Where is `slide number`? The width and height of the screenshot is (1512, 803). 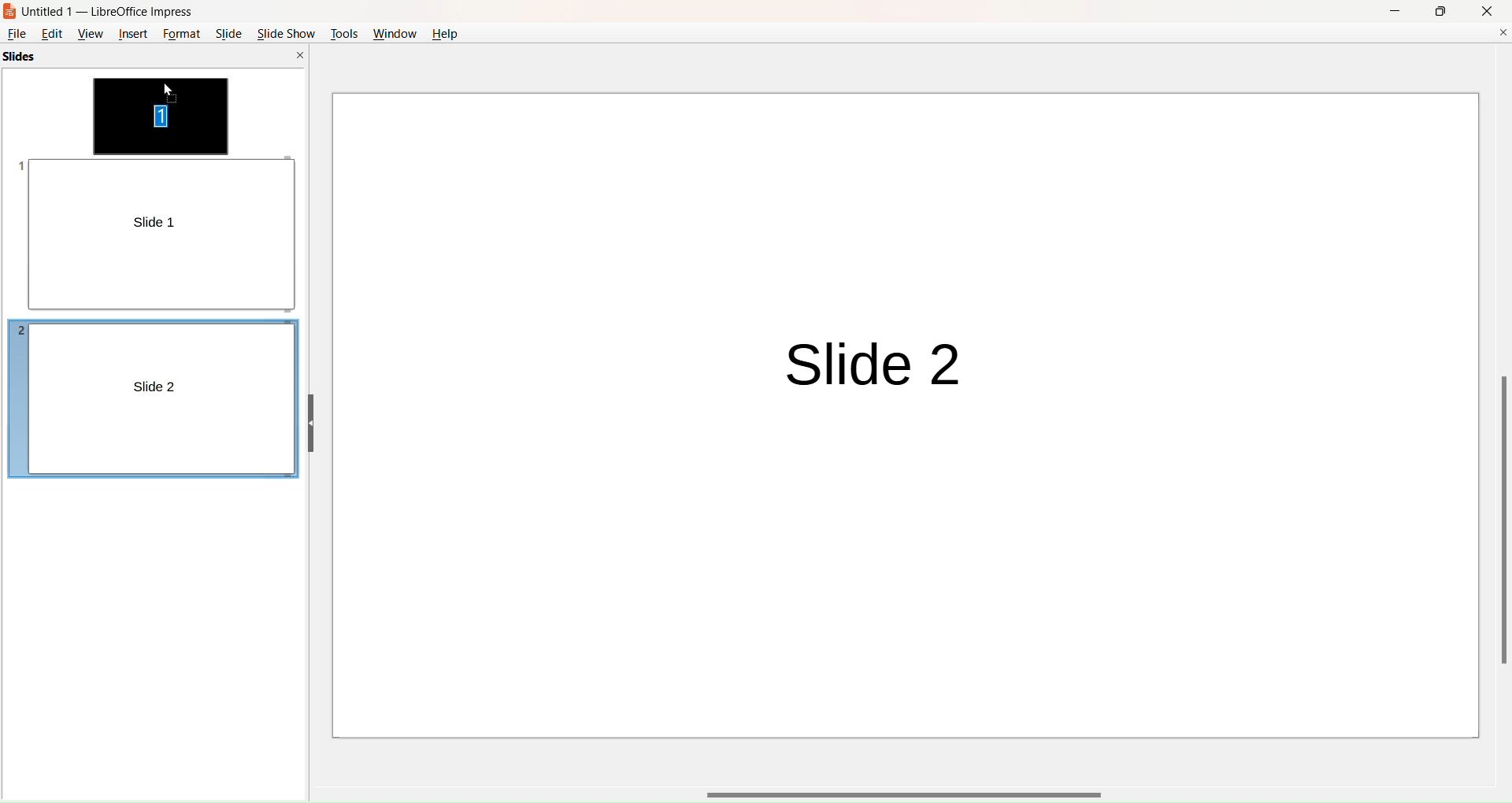
slide number is located at coordinates (22, 333).